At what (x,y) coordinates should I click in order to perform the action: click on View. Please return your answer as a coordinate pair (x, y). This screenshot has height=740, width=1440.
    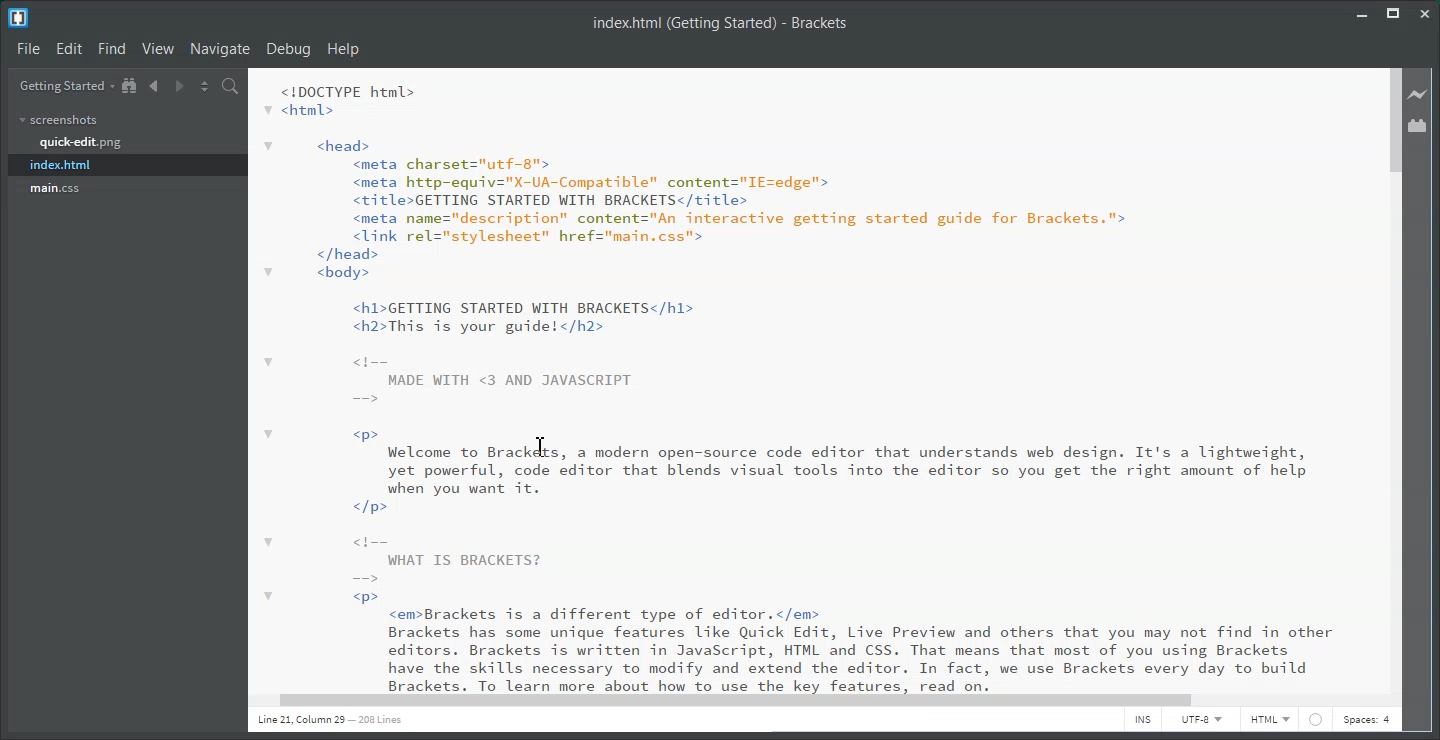
    Looking at the image, I should click on (161, 49).